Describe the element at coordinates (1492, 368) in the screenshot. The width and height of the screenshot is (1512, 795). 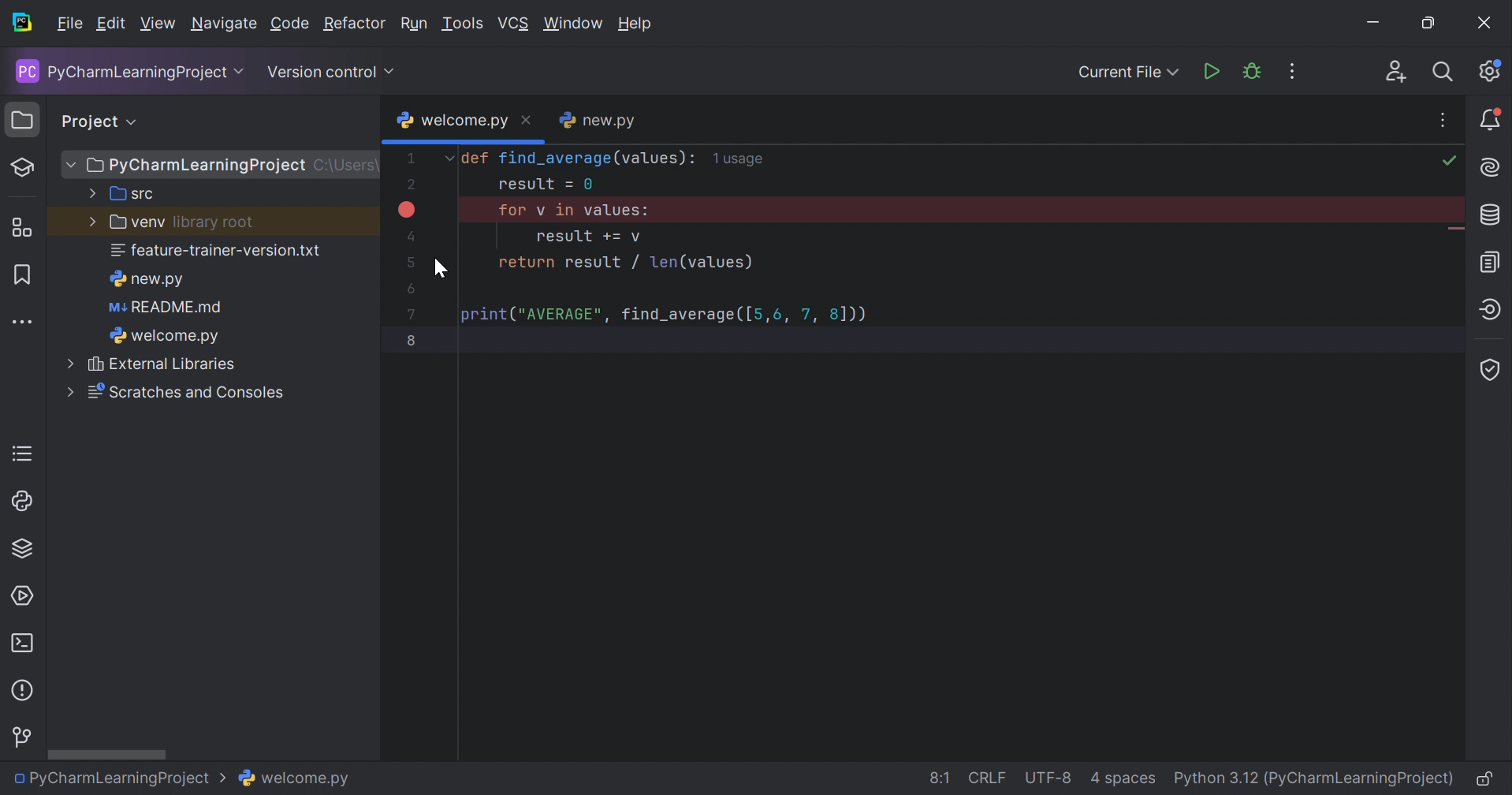
I see `Coverage` at that location.